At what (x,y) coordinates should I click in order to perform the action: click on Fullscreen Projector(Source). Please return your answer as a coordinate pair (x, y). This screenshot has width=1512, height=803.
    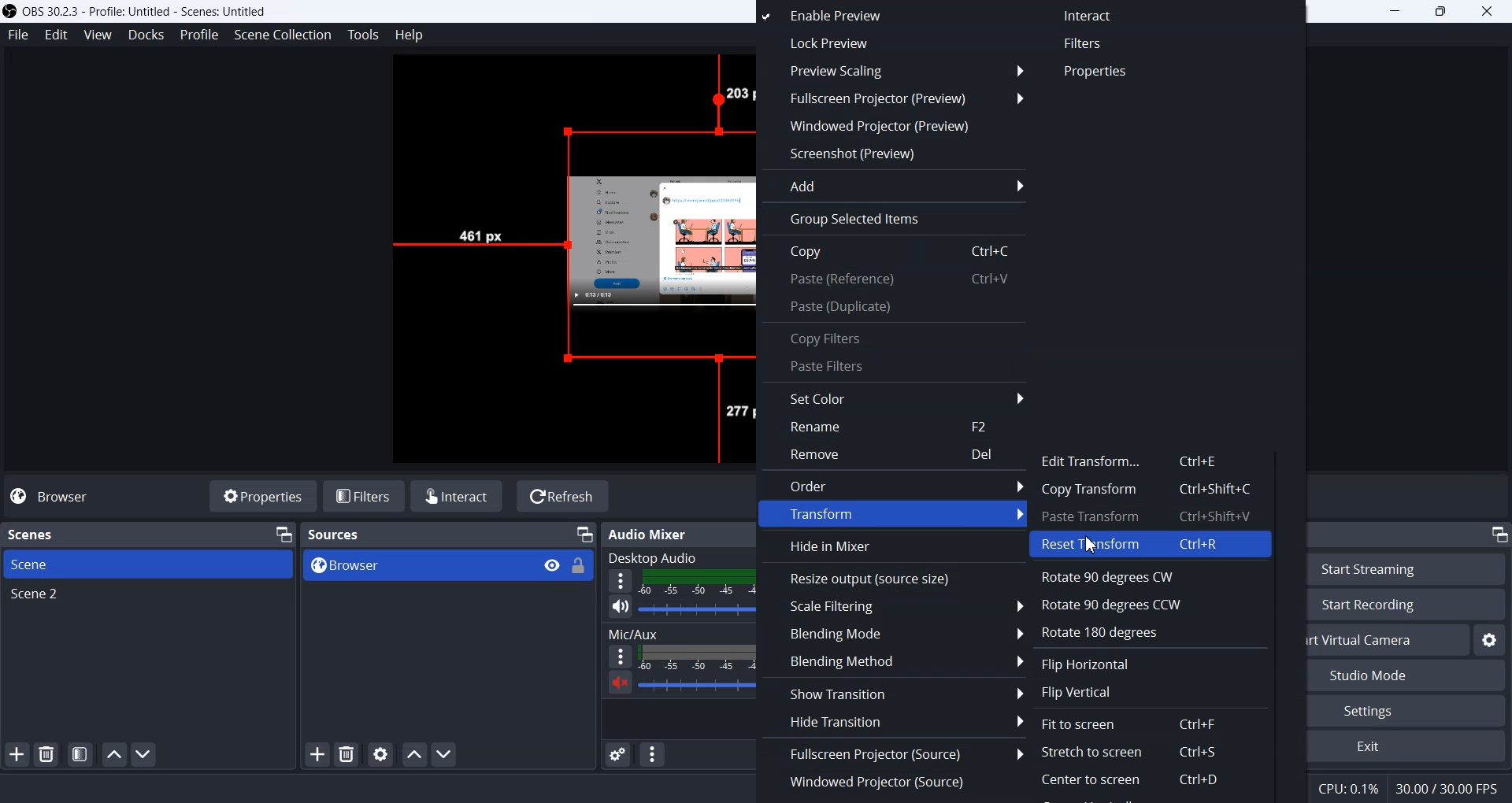
    Looking at the image, I should click on (895, 754).